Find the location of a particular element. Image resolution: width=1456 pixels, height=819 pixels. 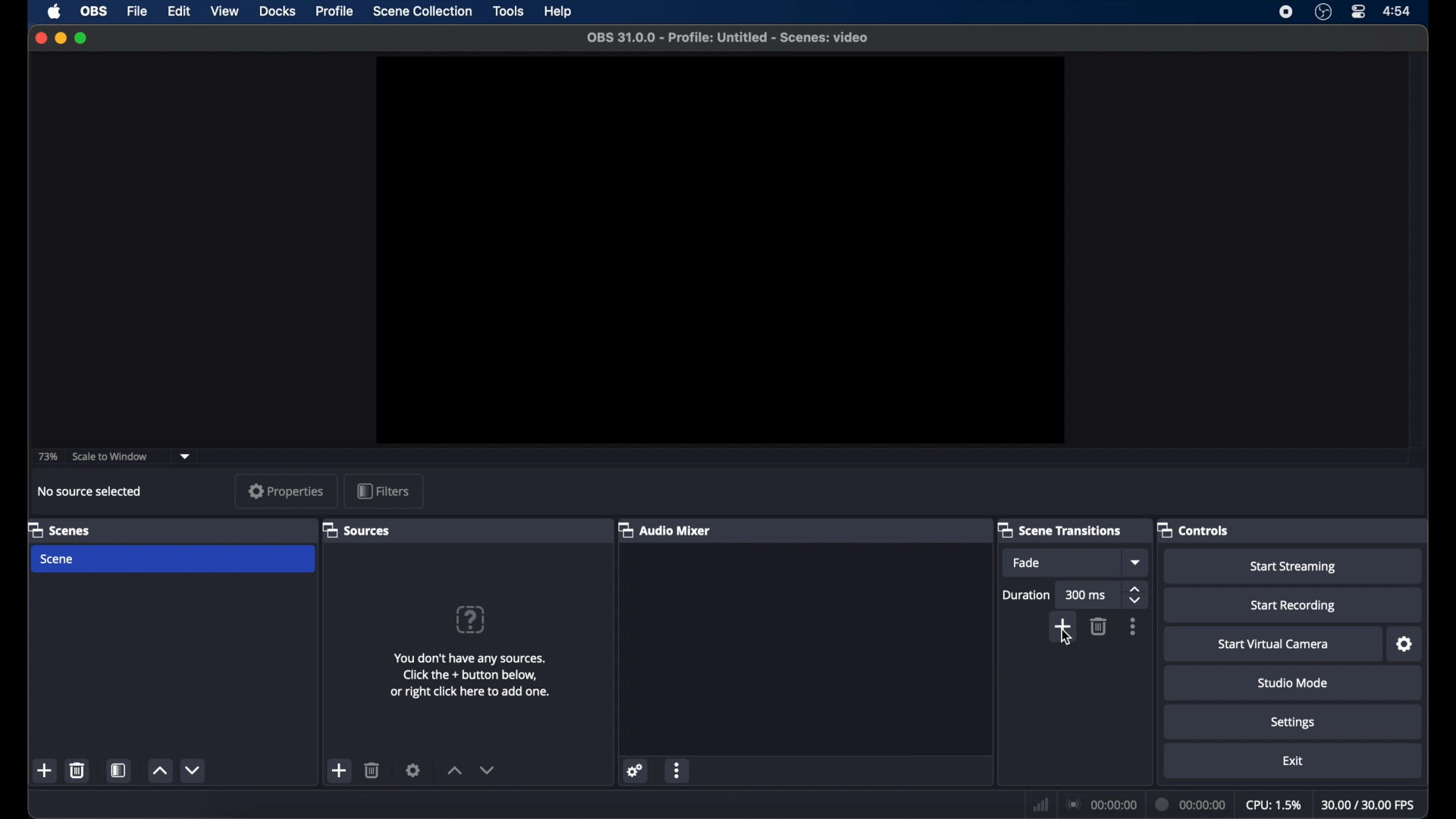

increment is located at coordinates (454, 770).